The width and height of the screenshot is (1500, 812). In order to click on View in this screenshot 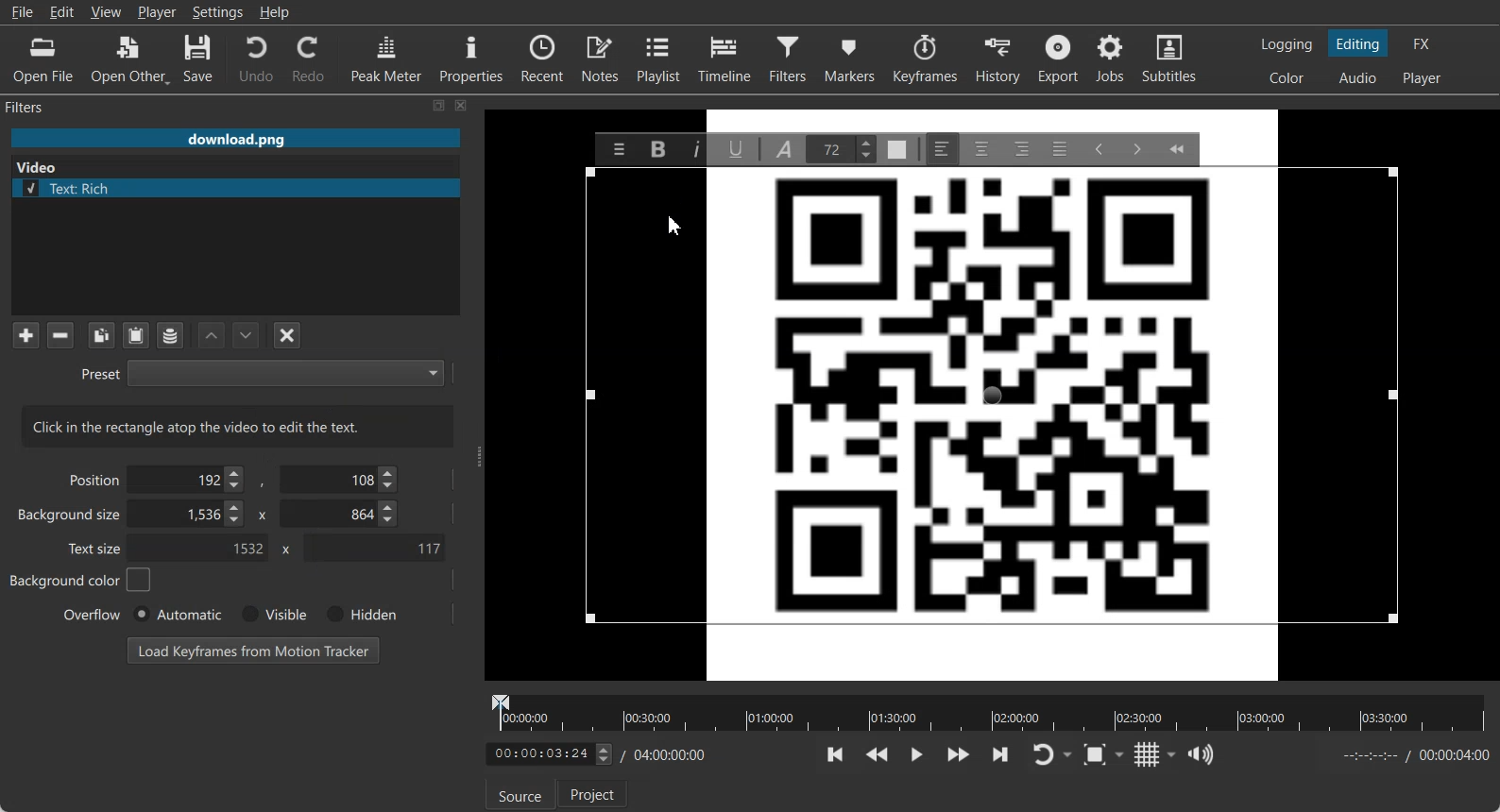, I will do `click(106, 11)`.